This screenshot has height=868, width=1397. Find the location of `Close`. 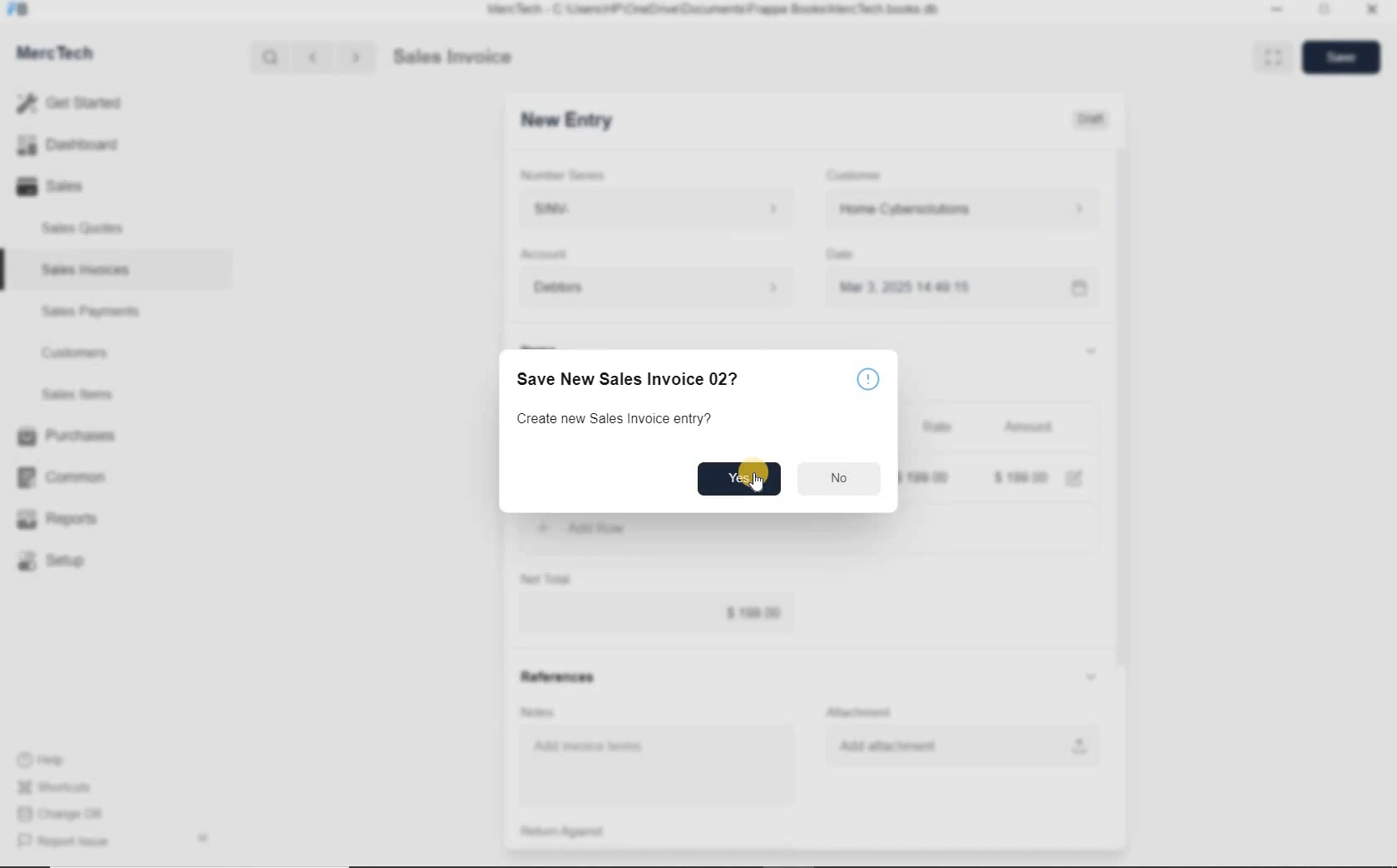

Close is located at coordinates (1370, 12).